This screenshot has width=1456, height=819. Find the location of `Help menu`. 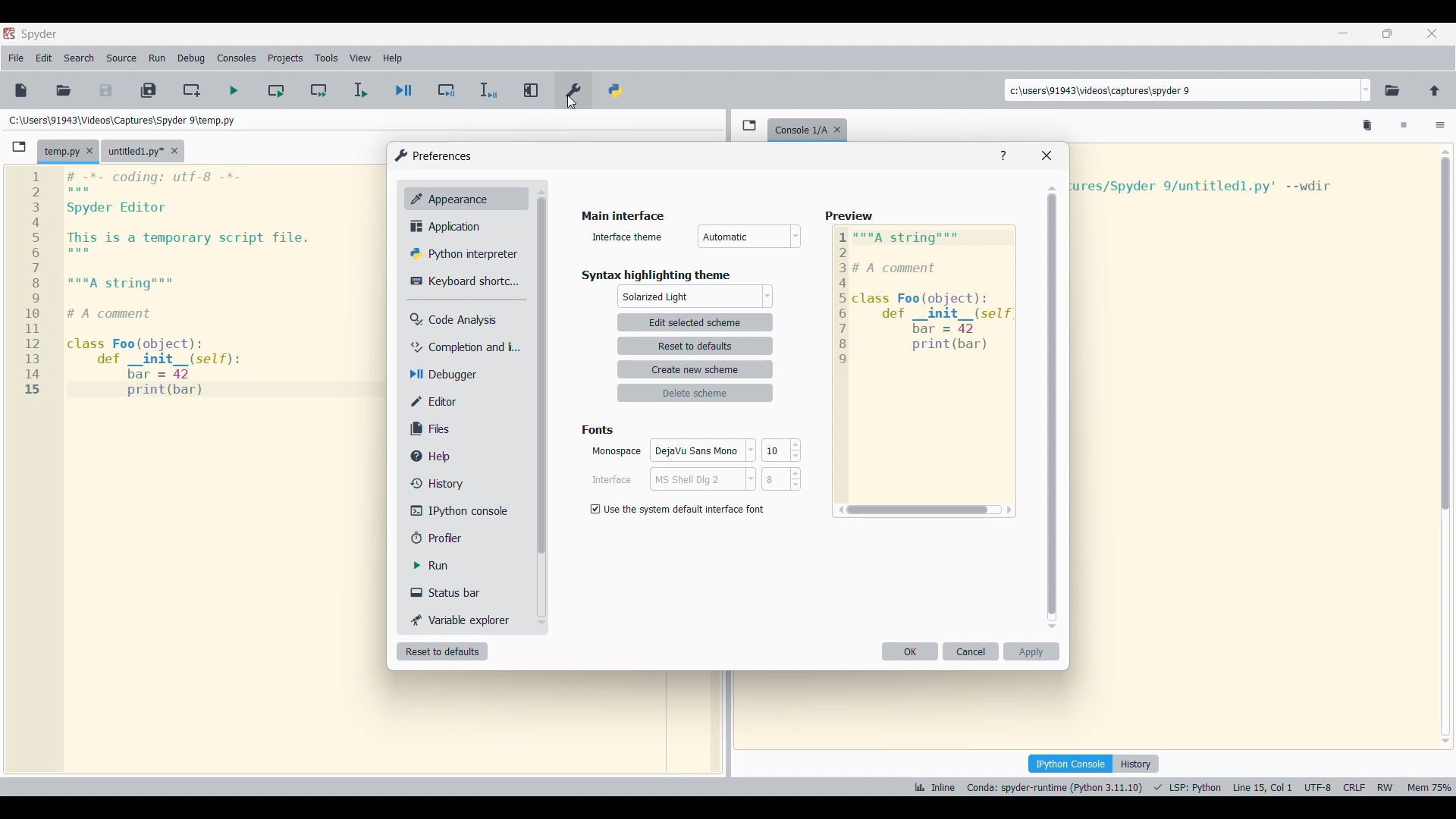

Help menu is located at coordinates (394, 58).